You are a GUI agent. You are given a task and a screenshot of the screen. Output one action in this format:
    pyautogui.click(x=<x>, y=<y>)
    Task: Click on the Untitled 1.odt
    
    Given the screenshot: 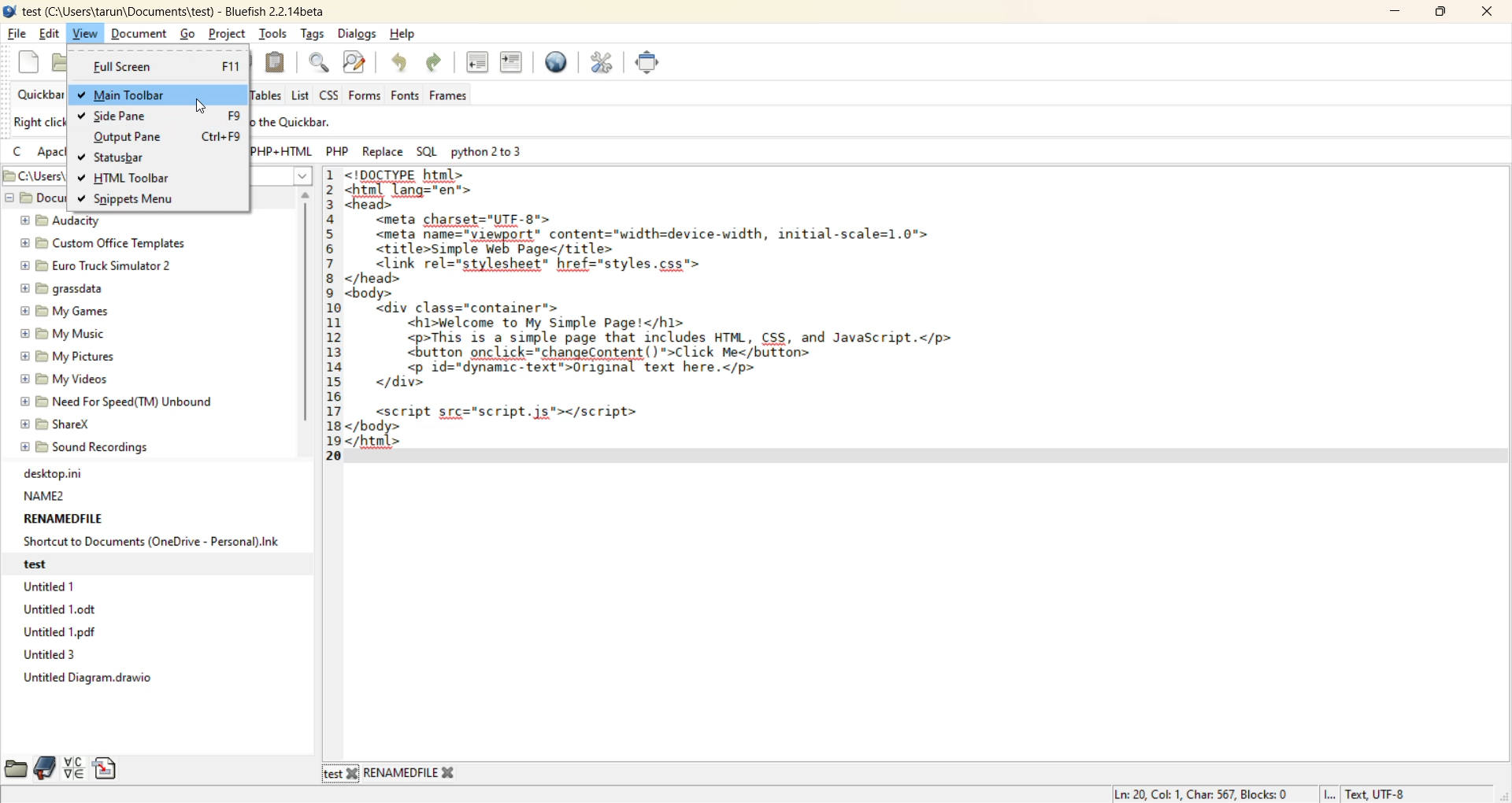 What is the action you would take?
    pyautogui.click(x=64, y=612)
    